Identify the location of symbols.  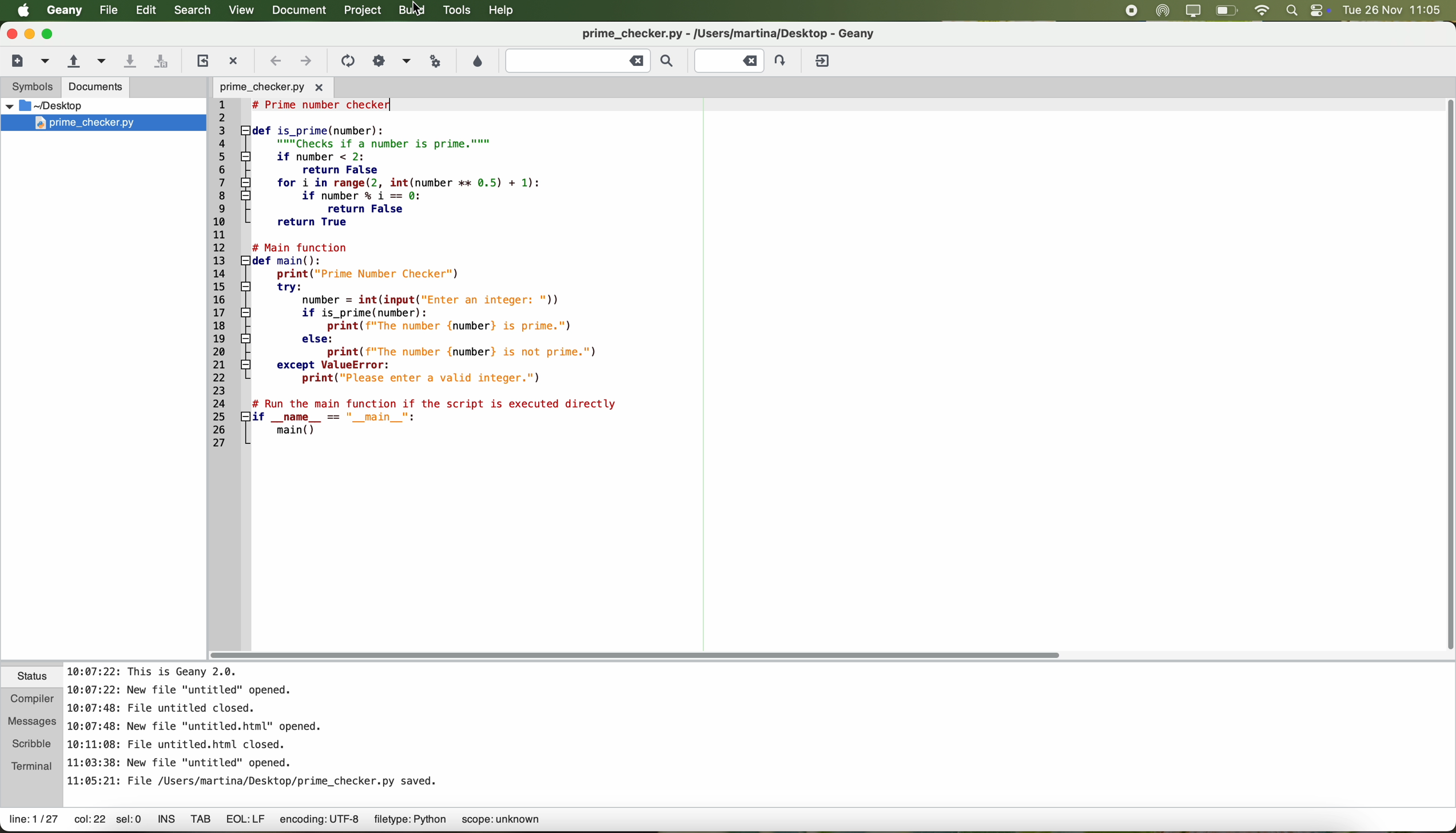
(30, 89).